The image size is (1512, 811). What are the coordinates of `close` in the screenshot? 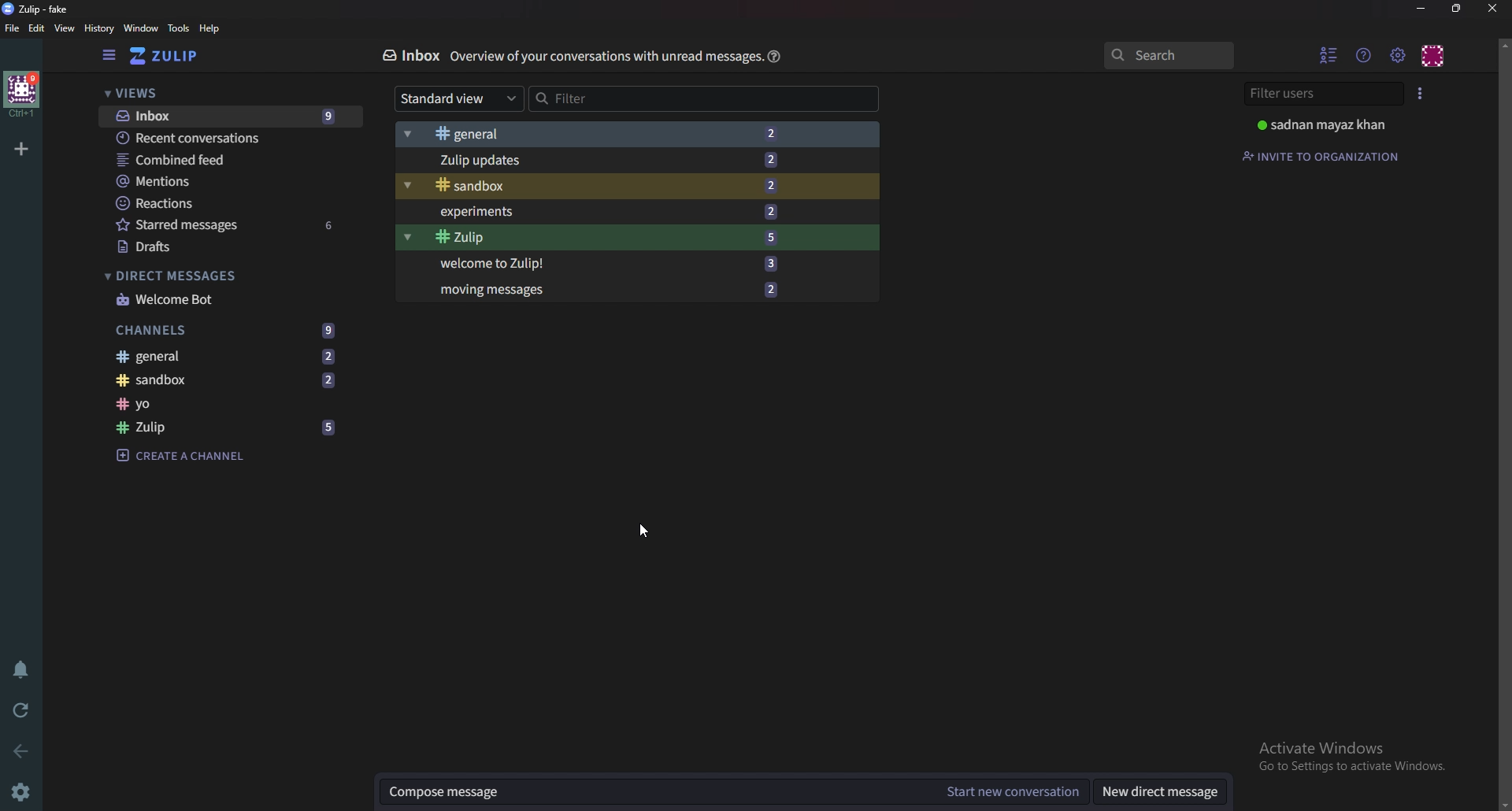 It's located at (1492, 7).